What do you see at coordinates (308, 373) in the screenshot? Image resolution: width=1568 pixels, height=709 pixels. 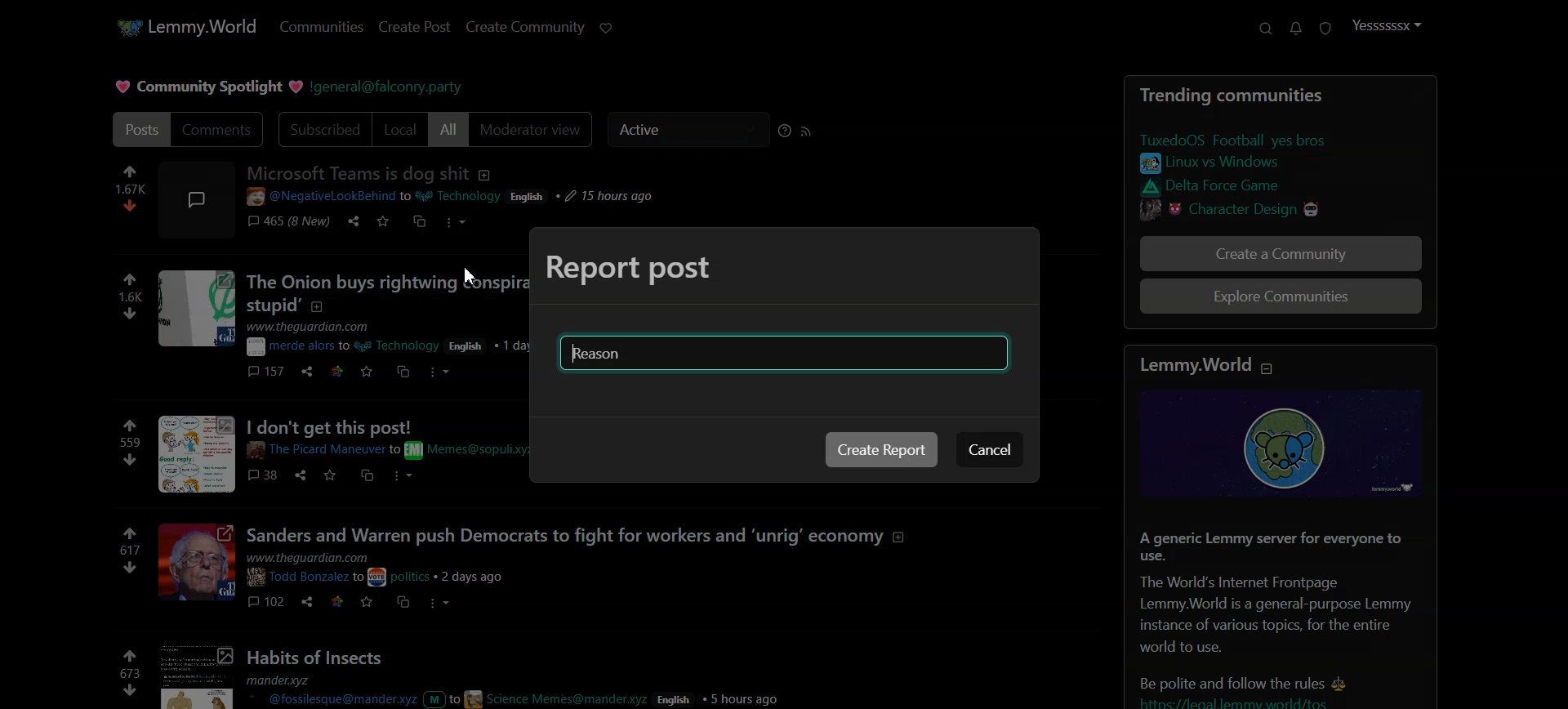 I see `share` at bounding box center [308, 373].